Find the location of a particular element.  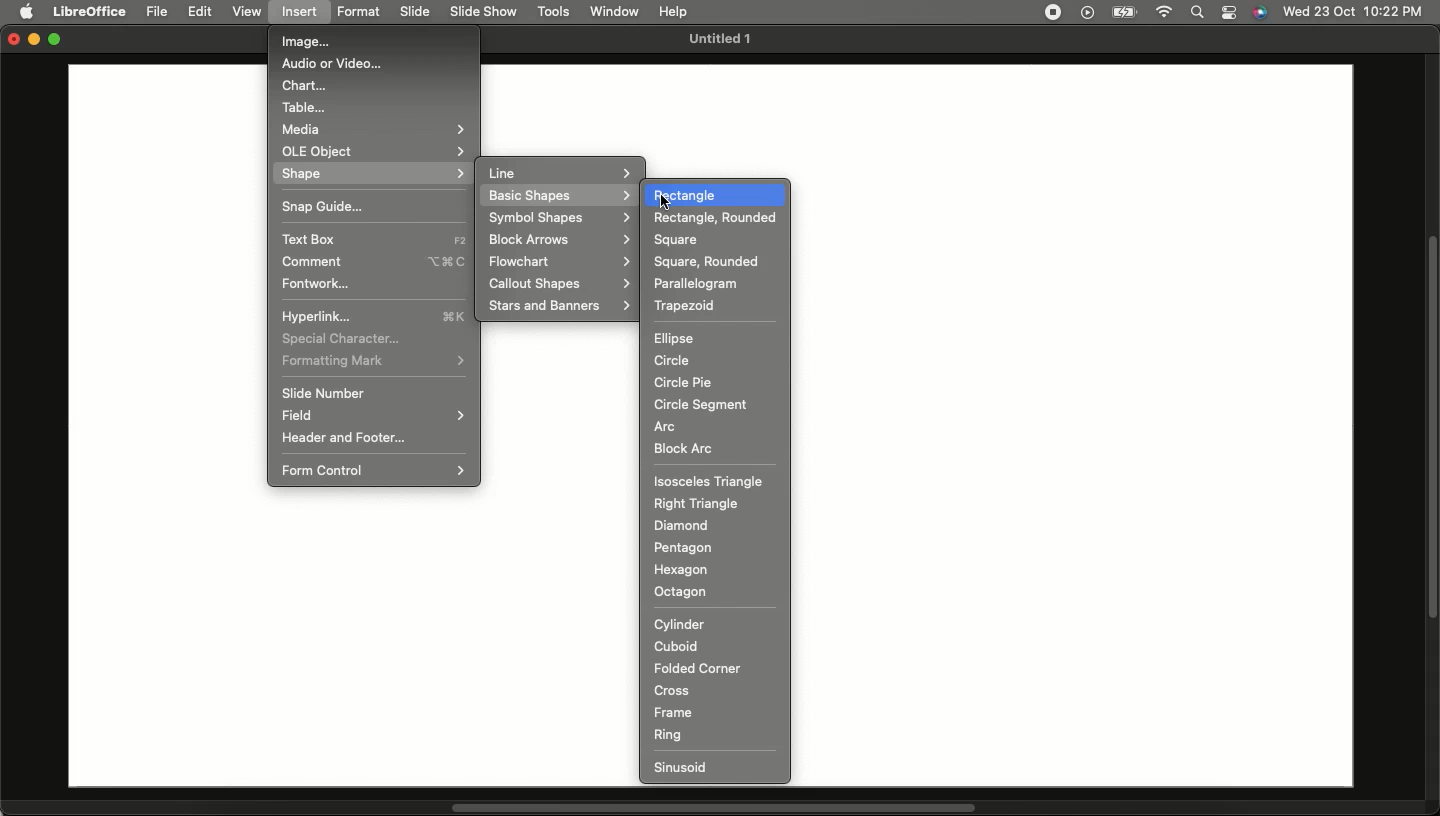

Pentagon is located at coordinates (682, 548).